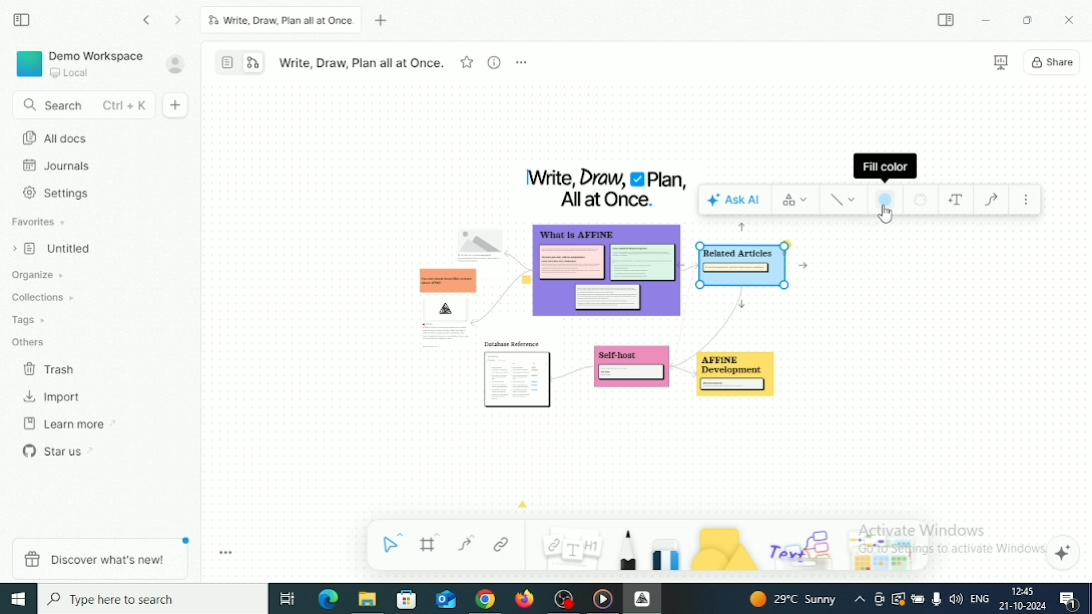 Image resolution: width=1092 pixels, height=614 pixels. Describe the element at coordinates (384, 21) in the screenshot. I see `New tab` at that location.